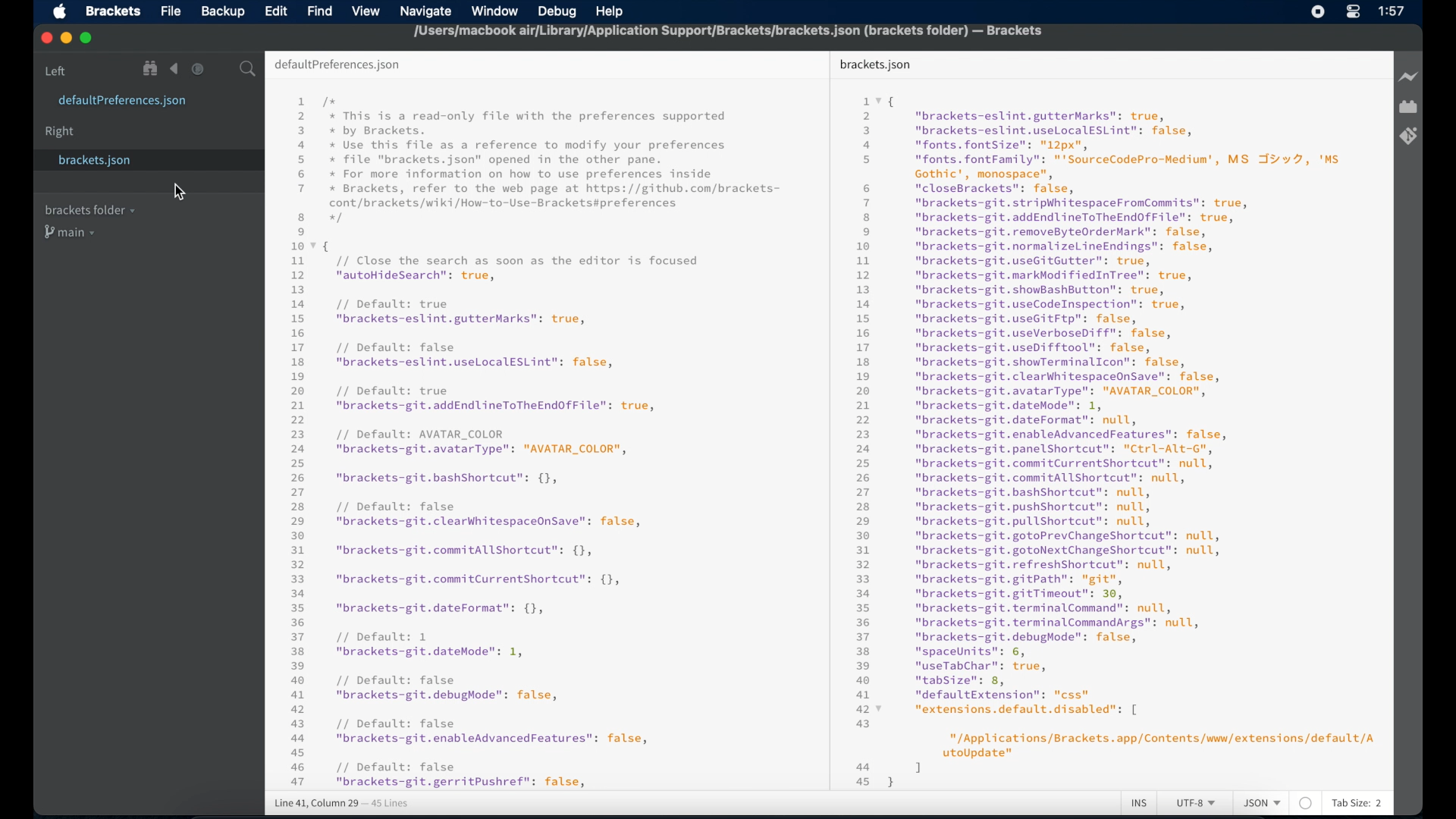 The height and width of the screenshot is (819, 1456). What do you see at coordinates (59, 12) in the screenshot?
I see `apple icon` at bounding box center [59, 12].